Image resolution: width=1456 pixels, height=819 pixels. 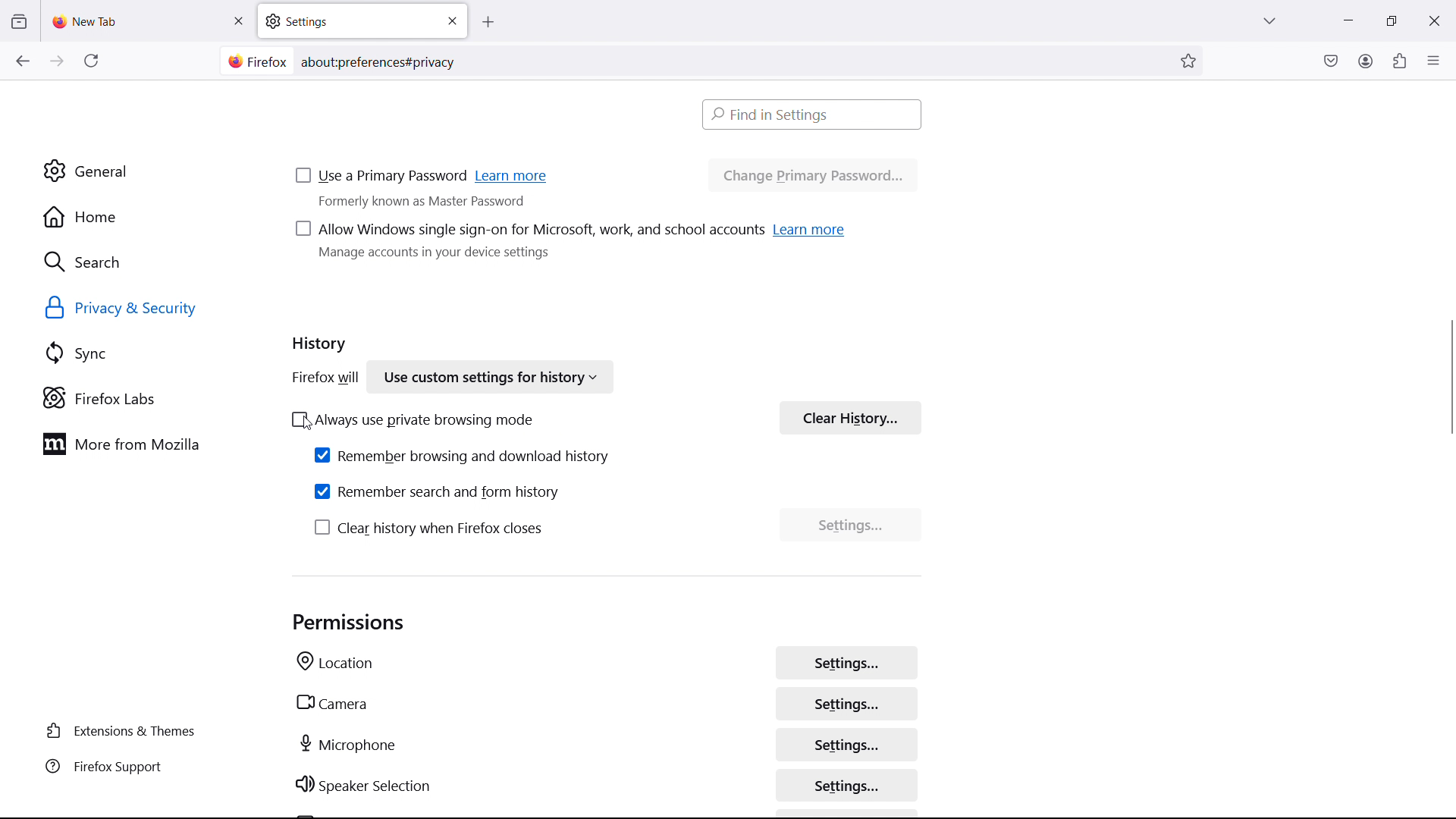 I want to click on account, so click(x=1365, y=60).